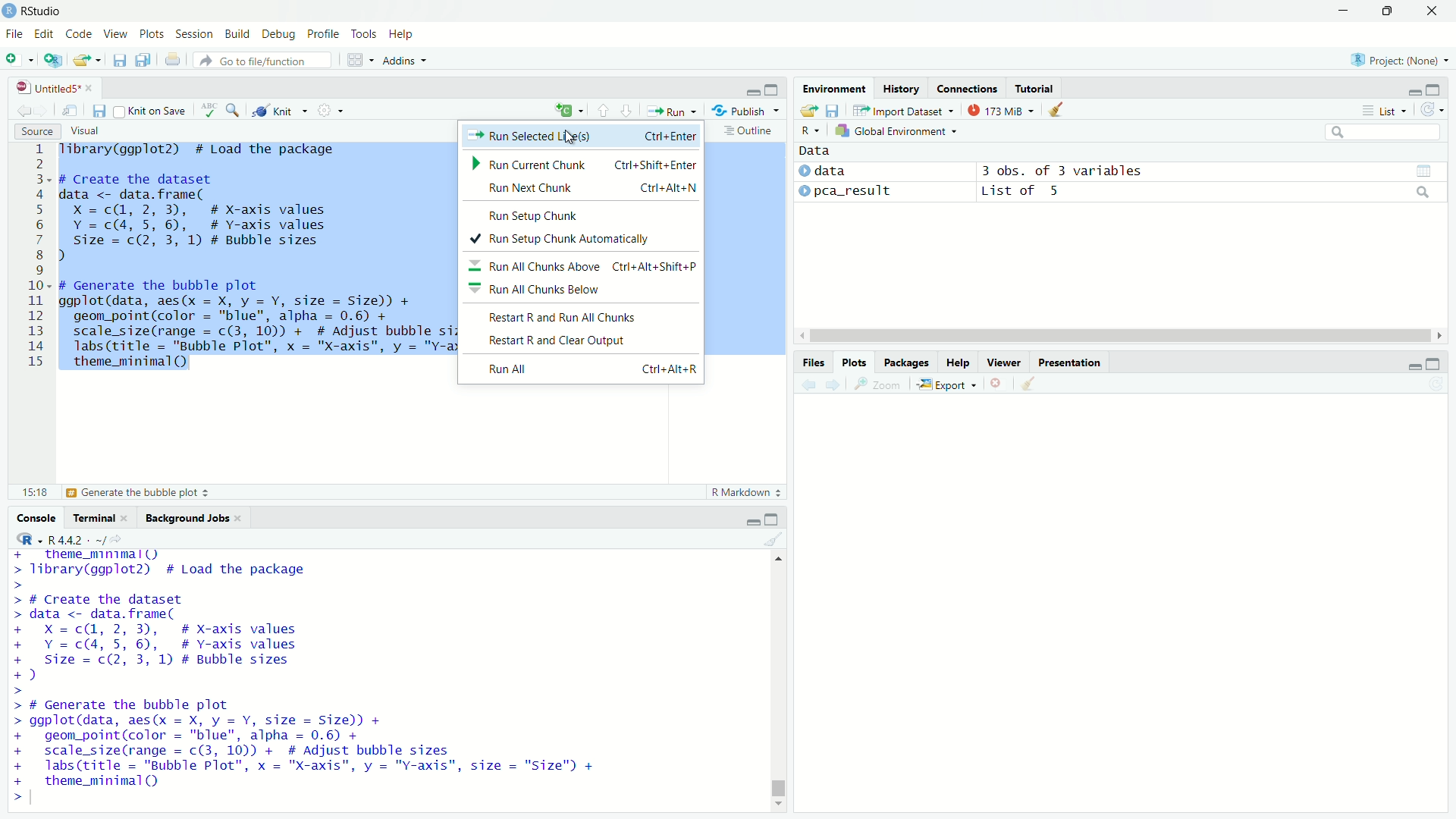 This screenshot has width=1456, height=819. What do you see at coordinates (836, 89) in the screenshot?
I see `environment` at bounding box center [836, 89].